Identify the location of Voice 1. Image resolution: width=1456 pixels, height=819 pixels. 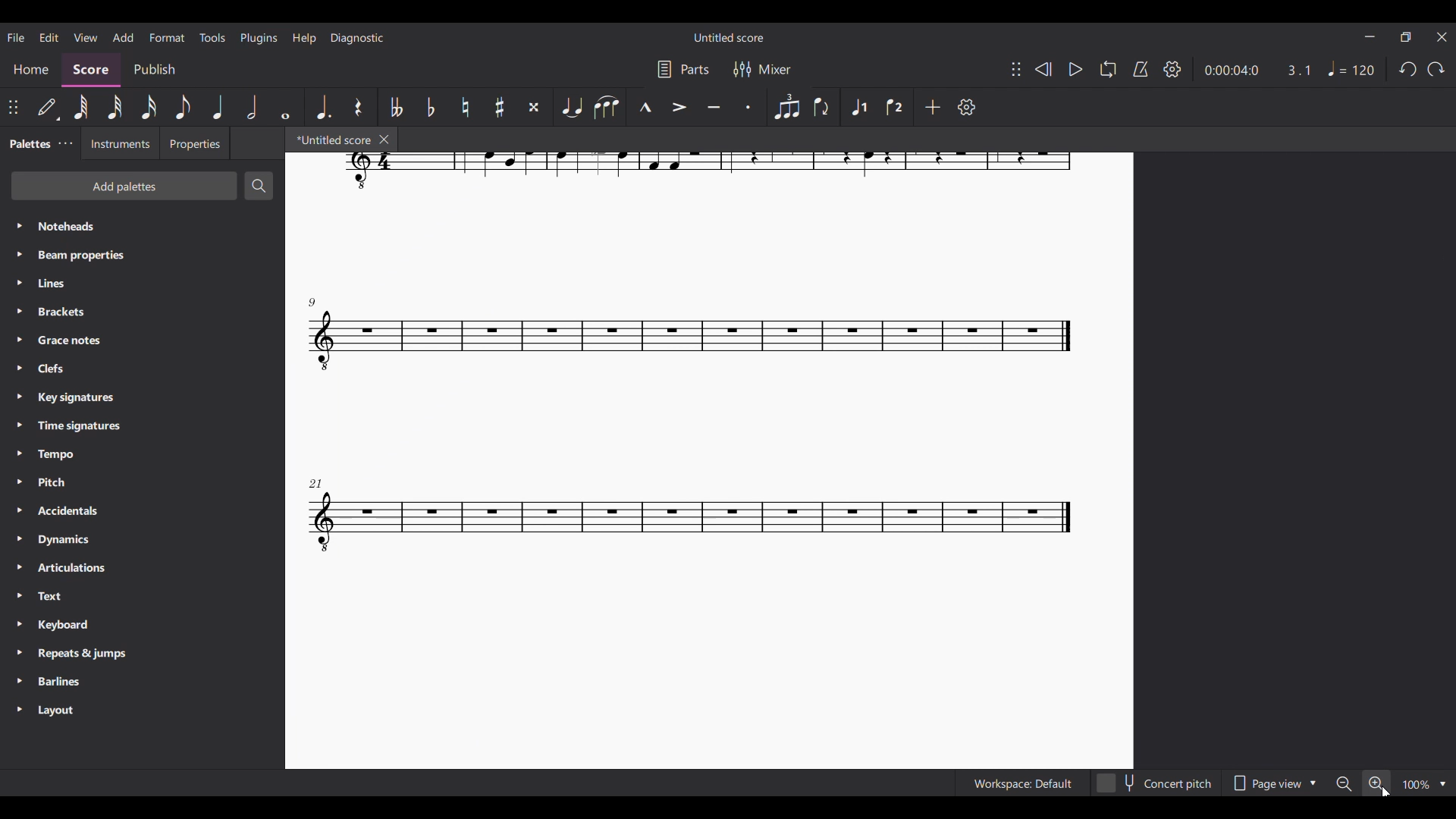
(859, 107).